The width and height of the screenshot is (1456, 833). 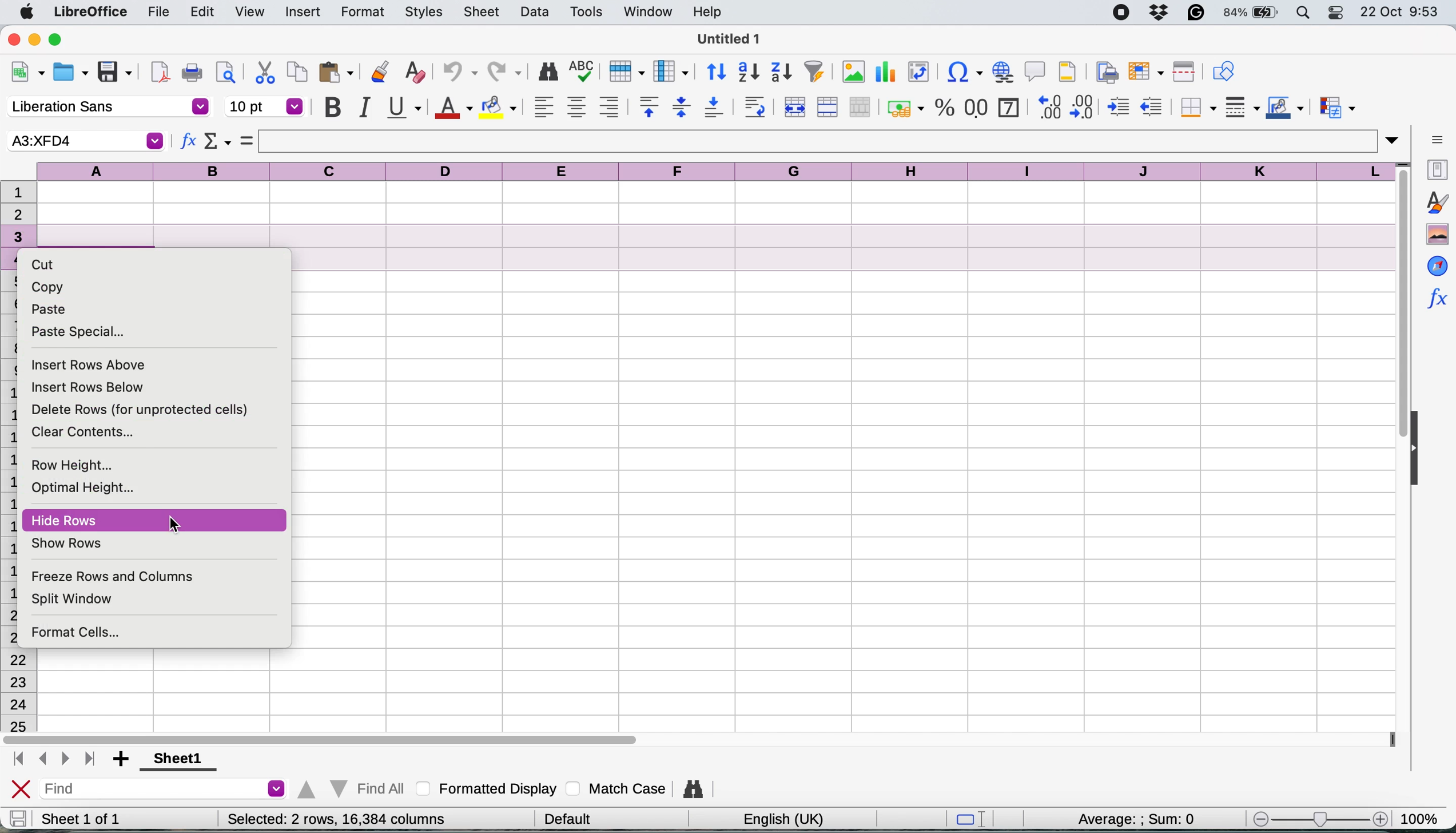 What do you see at coordinates (27, 74) in the screenshot?
I see `new` at bounding box center [27, 74].